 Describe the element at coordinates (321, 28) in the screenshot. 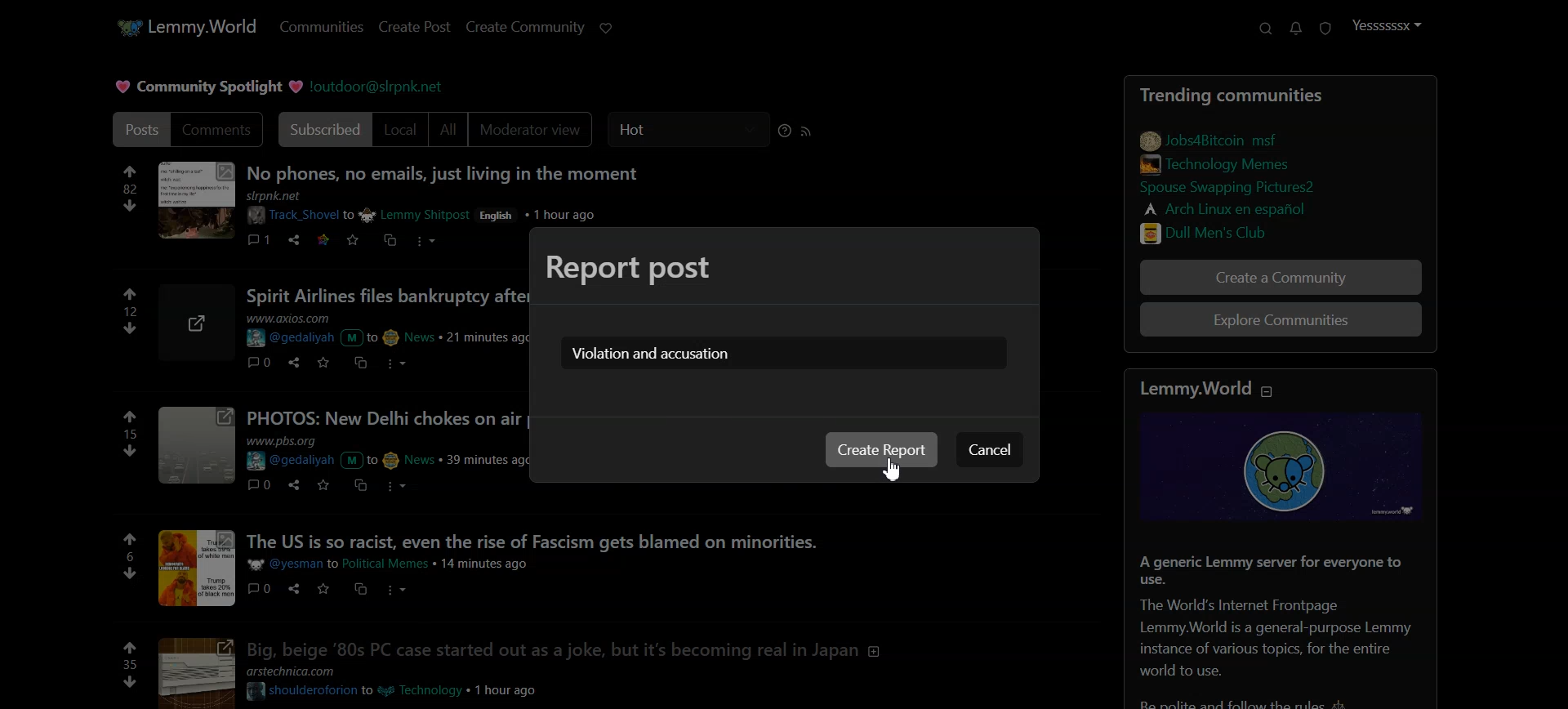

I see `Communities` at that location.